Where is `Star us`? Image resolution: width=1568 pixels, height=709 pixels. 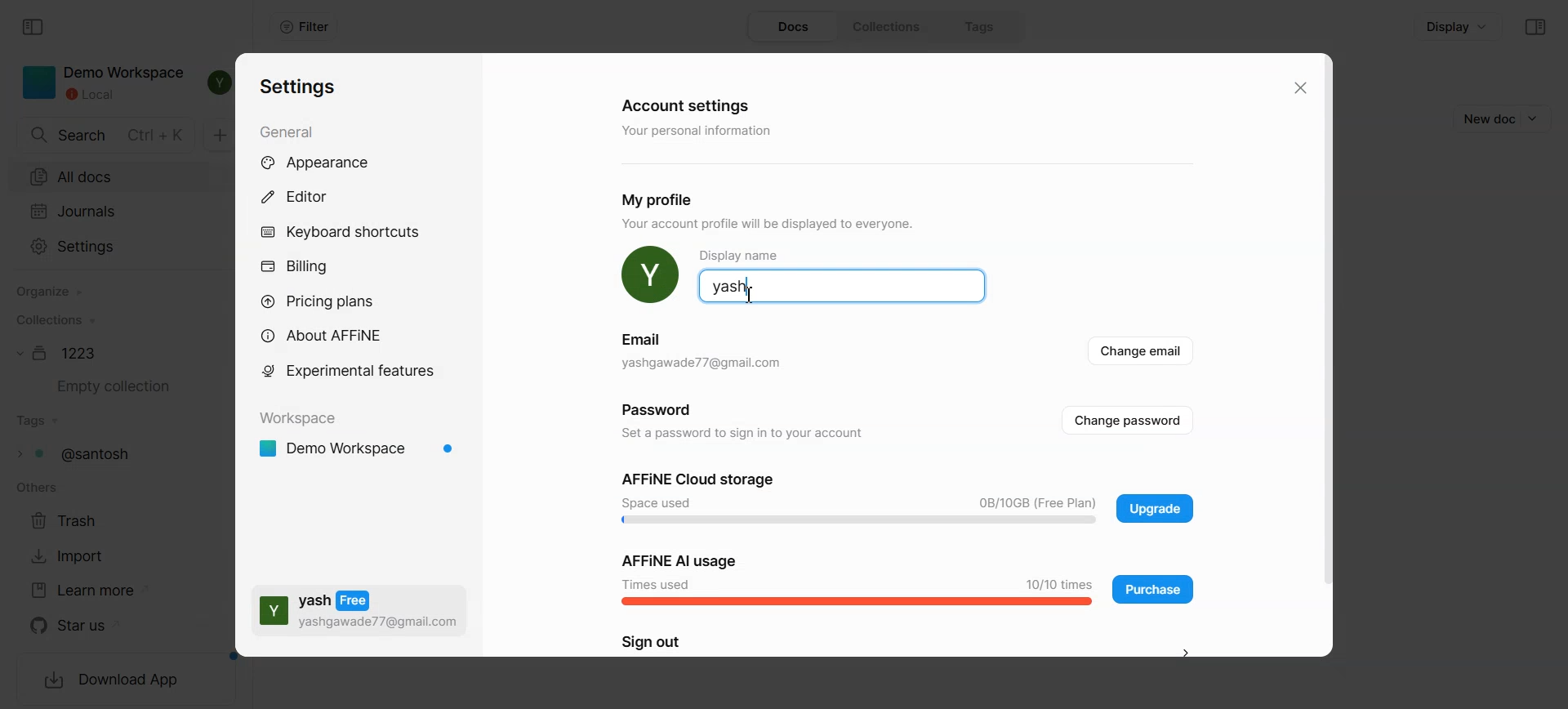 Star us is located at coordinates (91, 626).